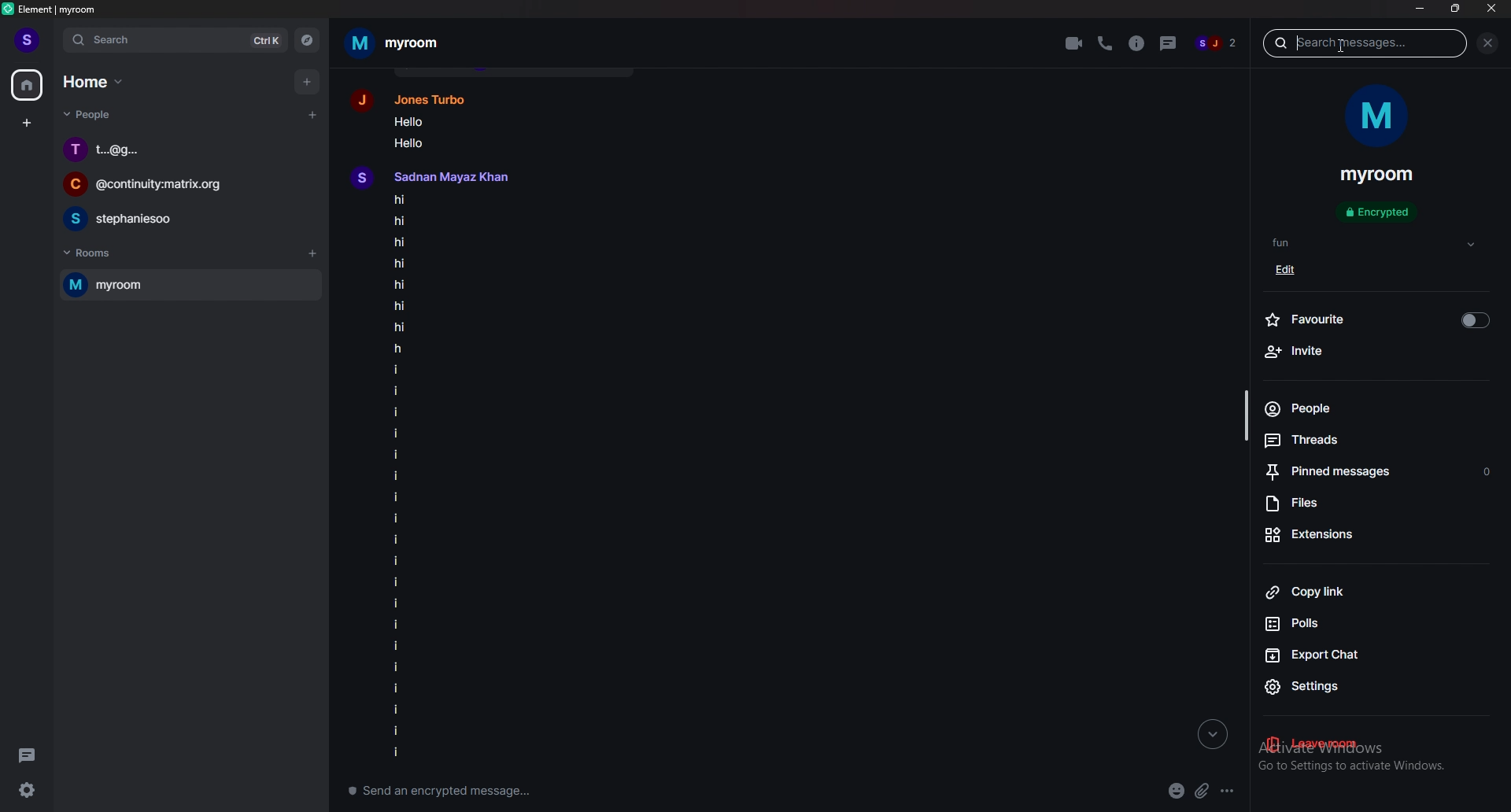 The height and width of the screenshot is (812, 1511). What do you see at coordinates (1132, 44) in the screenshot?
I see `room info` at bounding box center [1132, 44].